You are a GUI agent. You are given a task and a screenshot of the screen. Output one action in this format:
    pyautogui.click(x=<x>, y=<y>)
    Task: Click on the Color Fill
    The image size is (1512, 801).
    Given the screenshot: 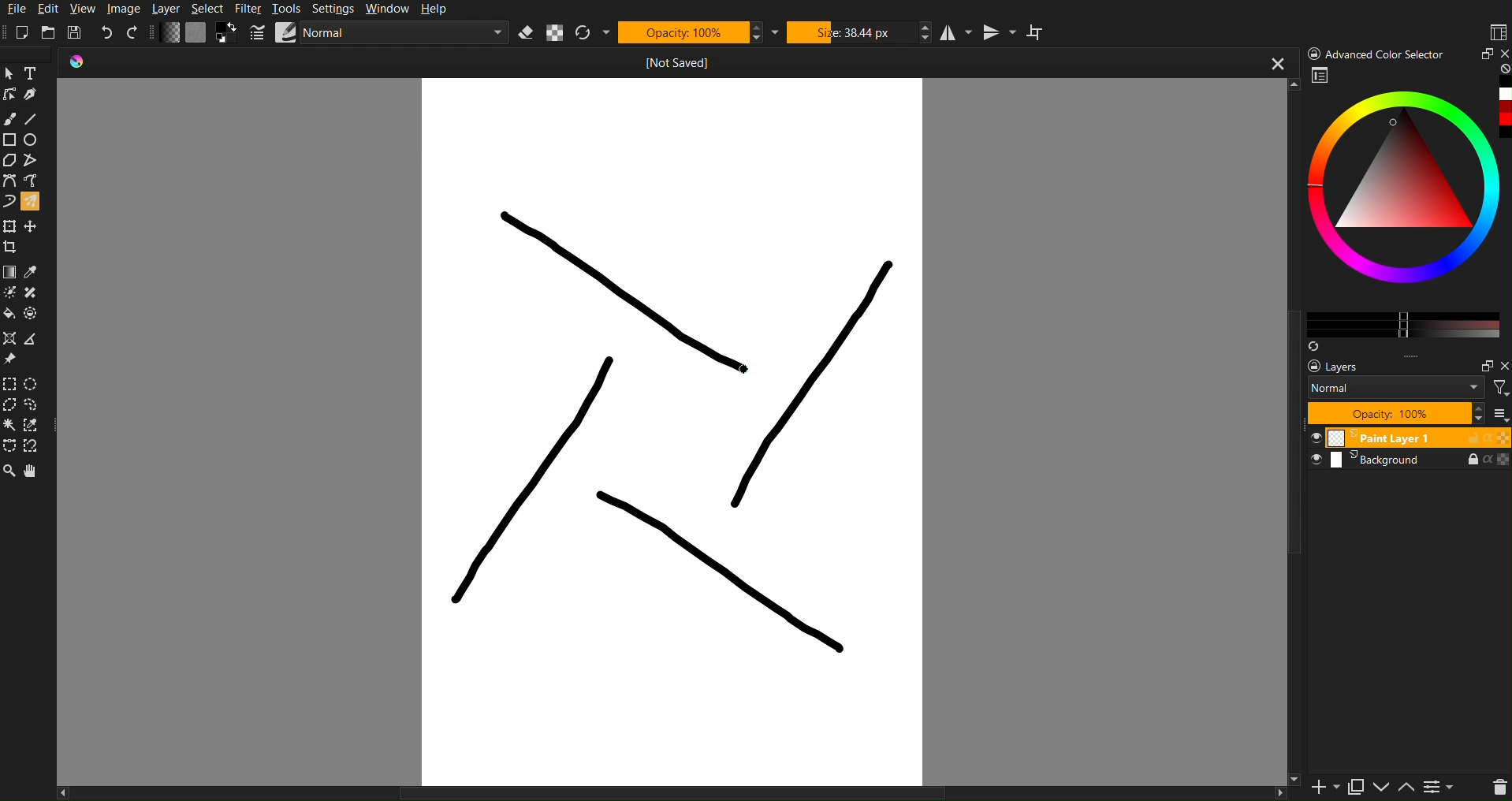 What is the action you would take?
    pyautogui.click(x=11, y=317)
    